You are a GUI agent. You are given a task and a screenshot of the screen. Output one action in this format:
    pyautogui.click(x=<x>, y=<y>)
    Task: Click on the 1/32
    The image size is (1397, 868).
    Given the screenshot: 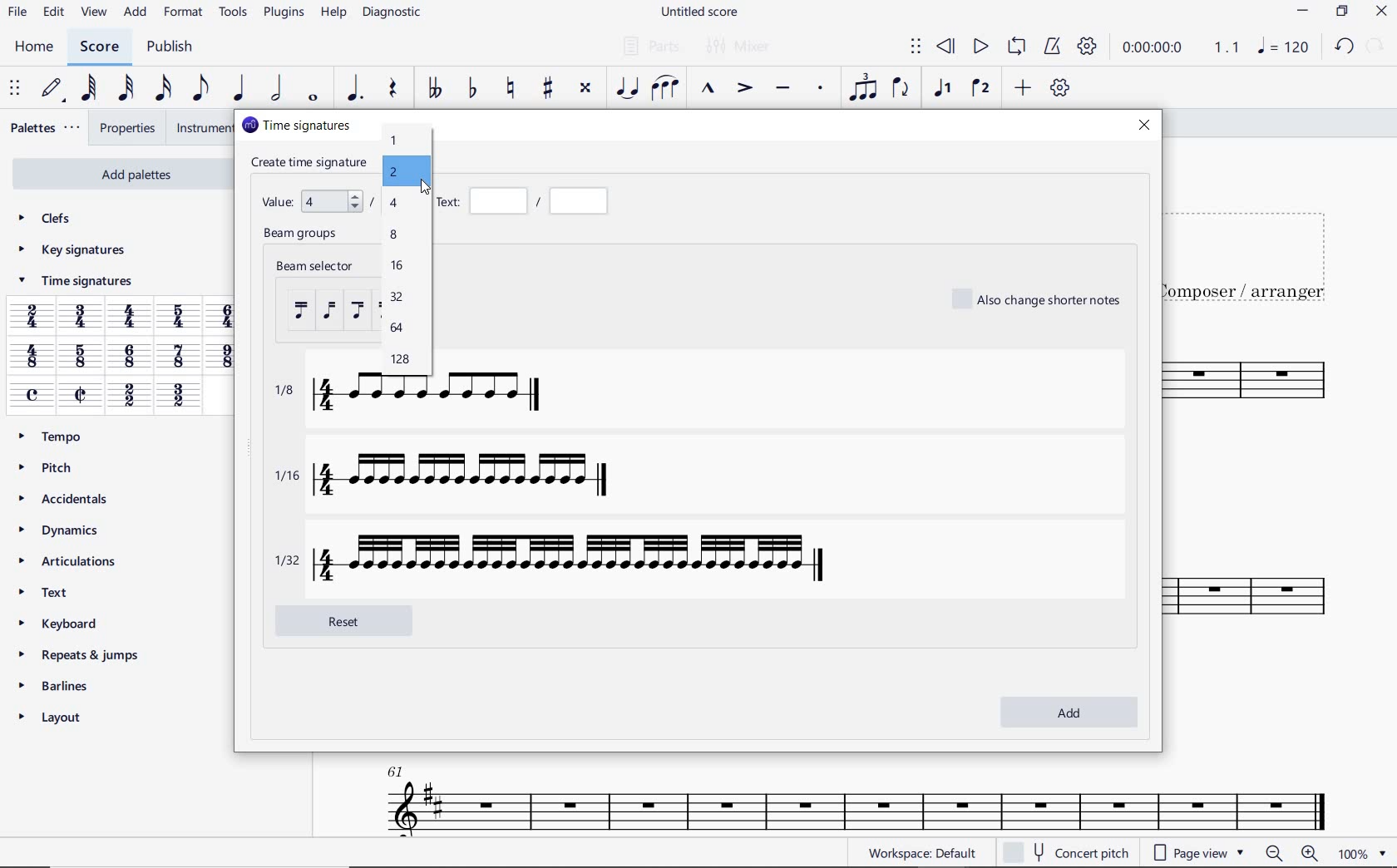 What is the action you would take?
    pyautogui.click(x=558, y=557)
    